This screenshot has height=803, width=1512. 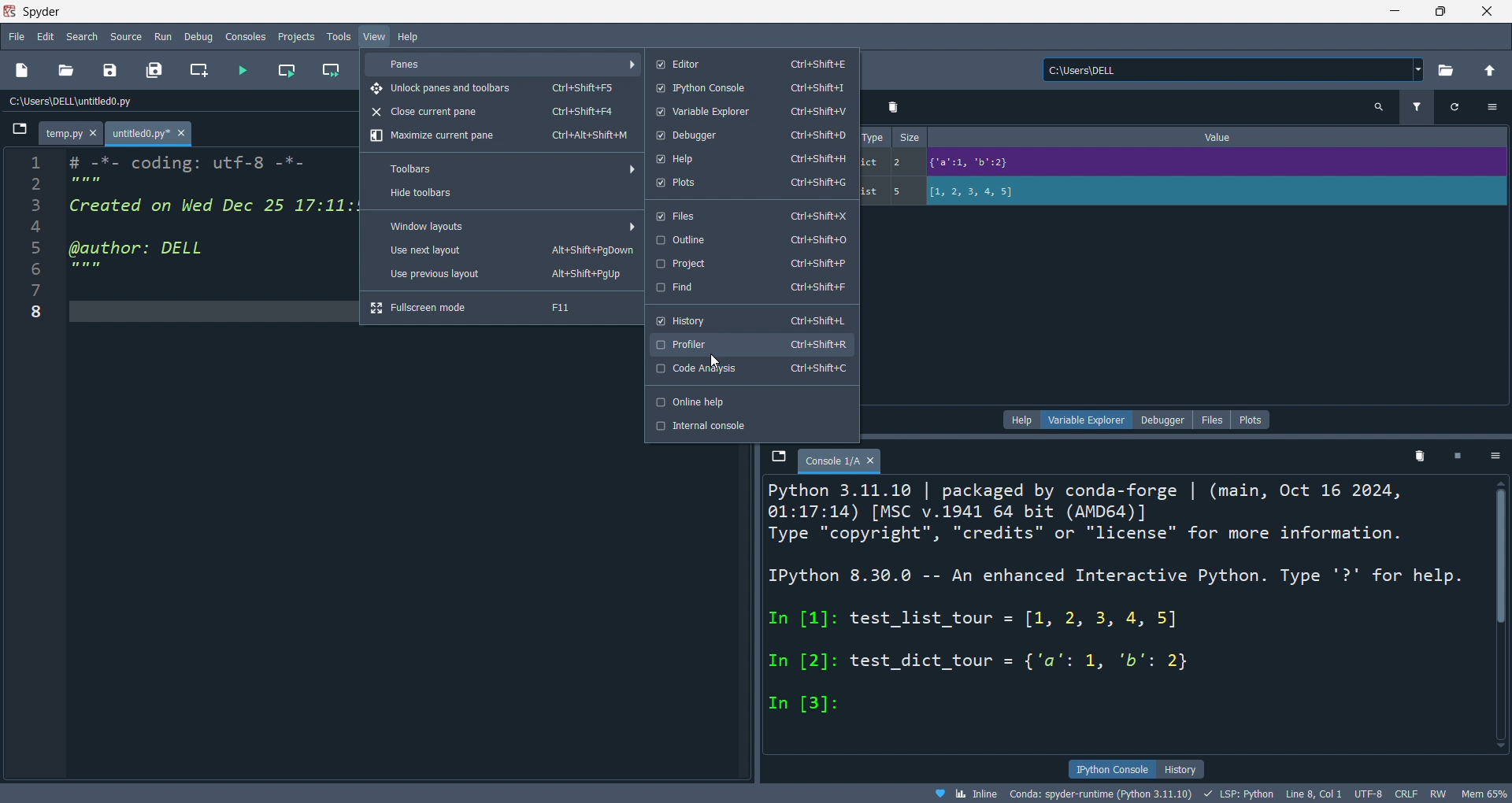 I want to click on minimize, so click(x=1393, y=12).